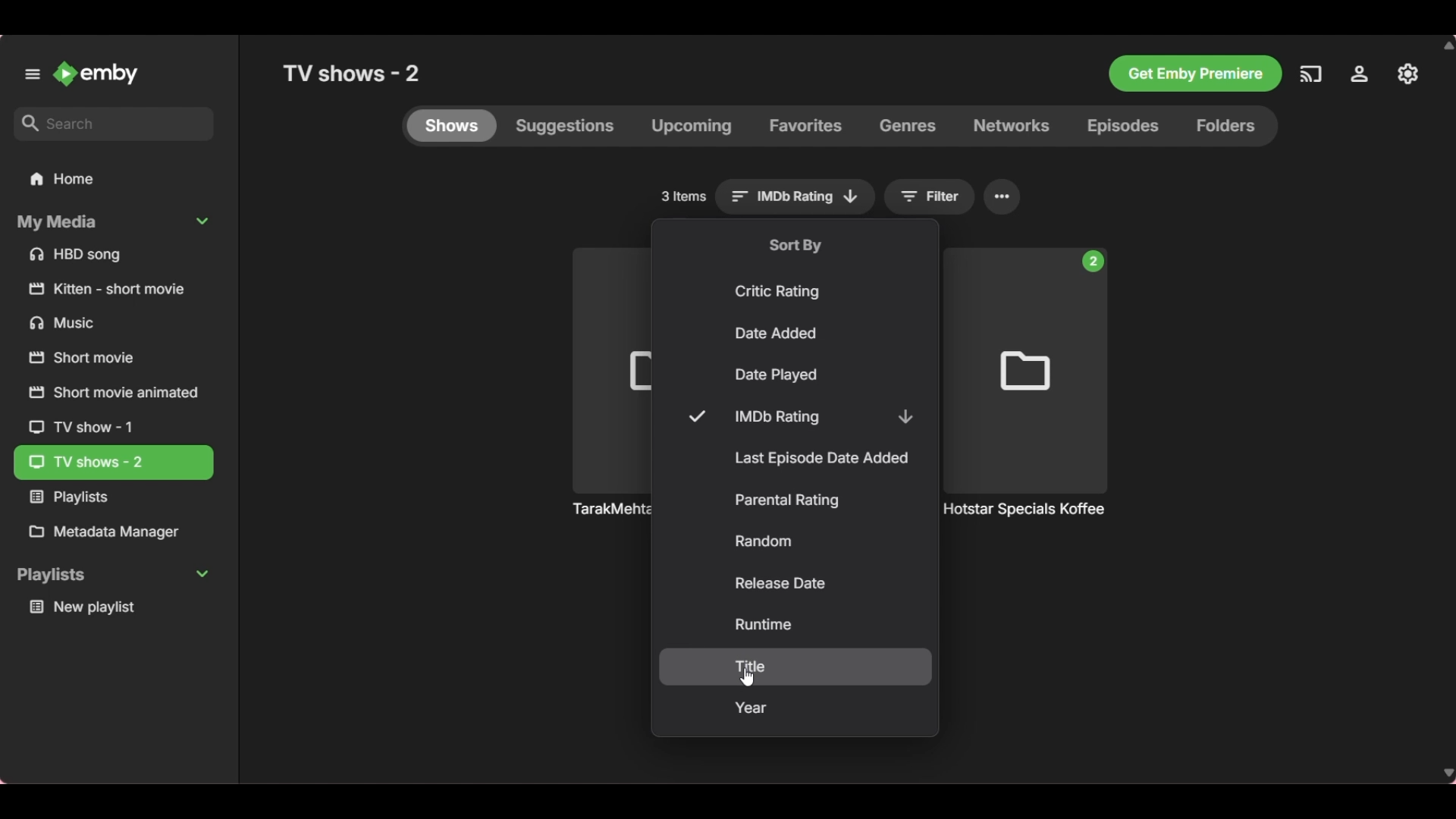 The image size is (1456, 819). What do you see at coordinates (115, 463) in the screenshot?
I see `Current selection highlighted` at bounding box center [115, 463].